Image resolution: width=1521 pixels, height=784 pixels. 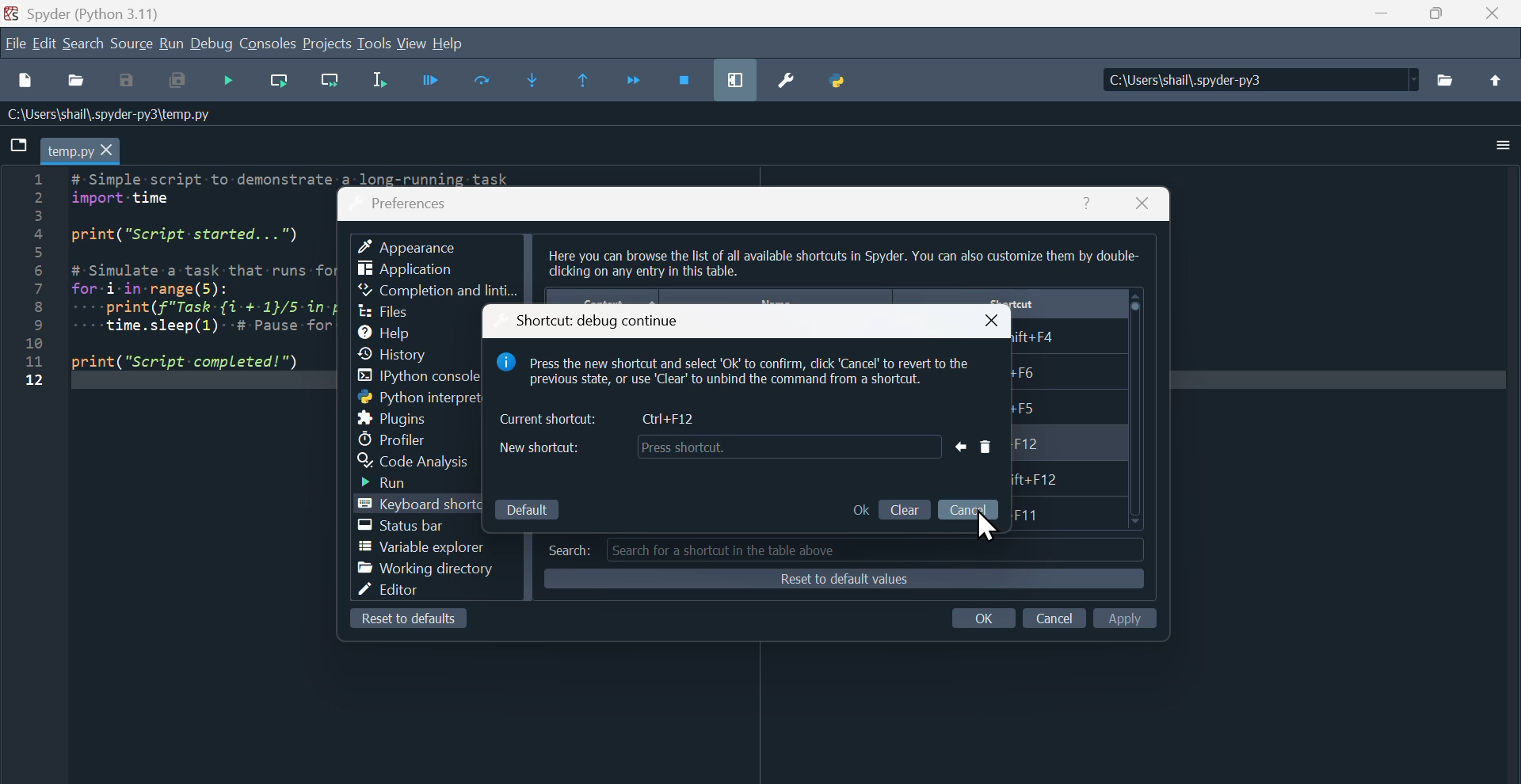 What do you see at coordinates (44, 43) in the screenshot?
I see `Edit` at bounding box center [44, 43].